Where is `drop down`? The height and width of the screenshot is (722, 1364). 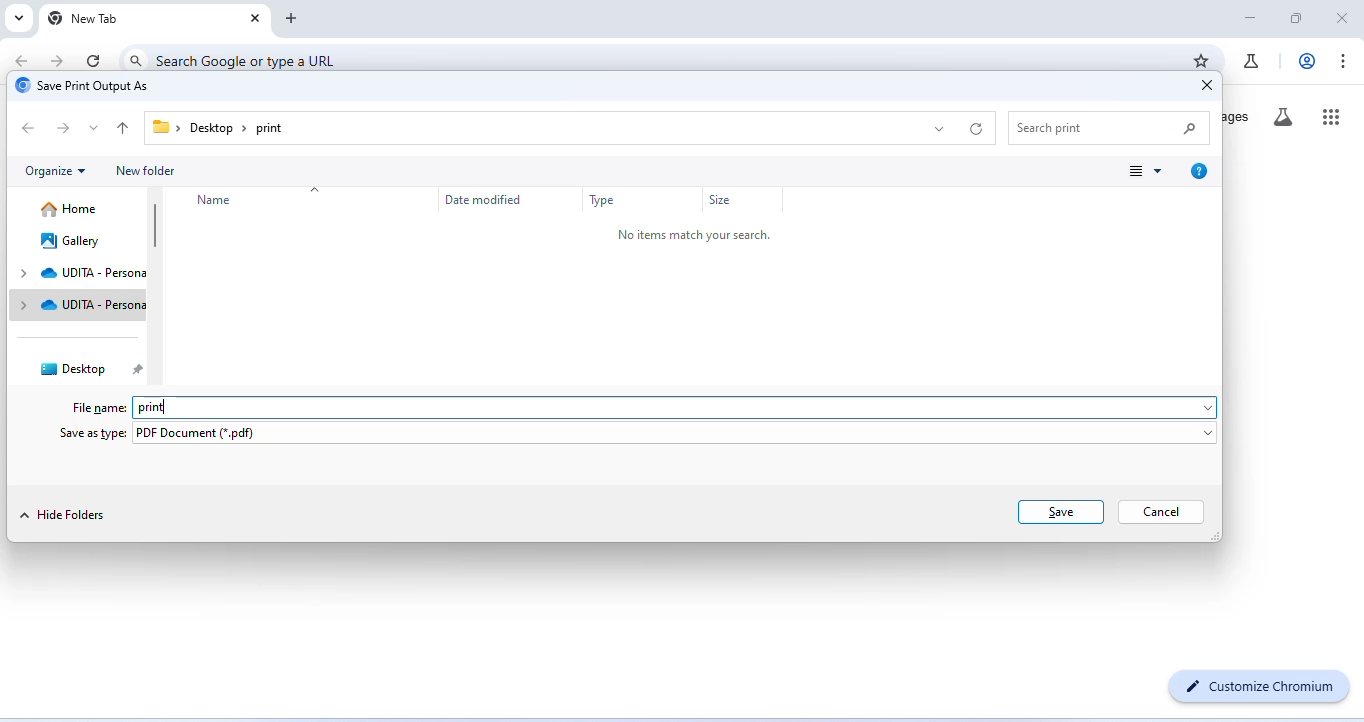
drop down is located at coordinates (95, 127).